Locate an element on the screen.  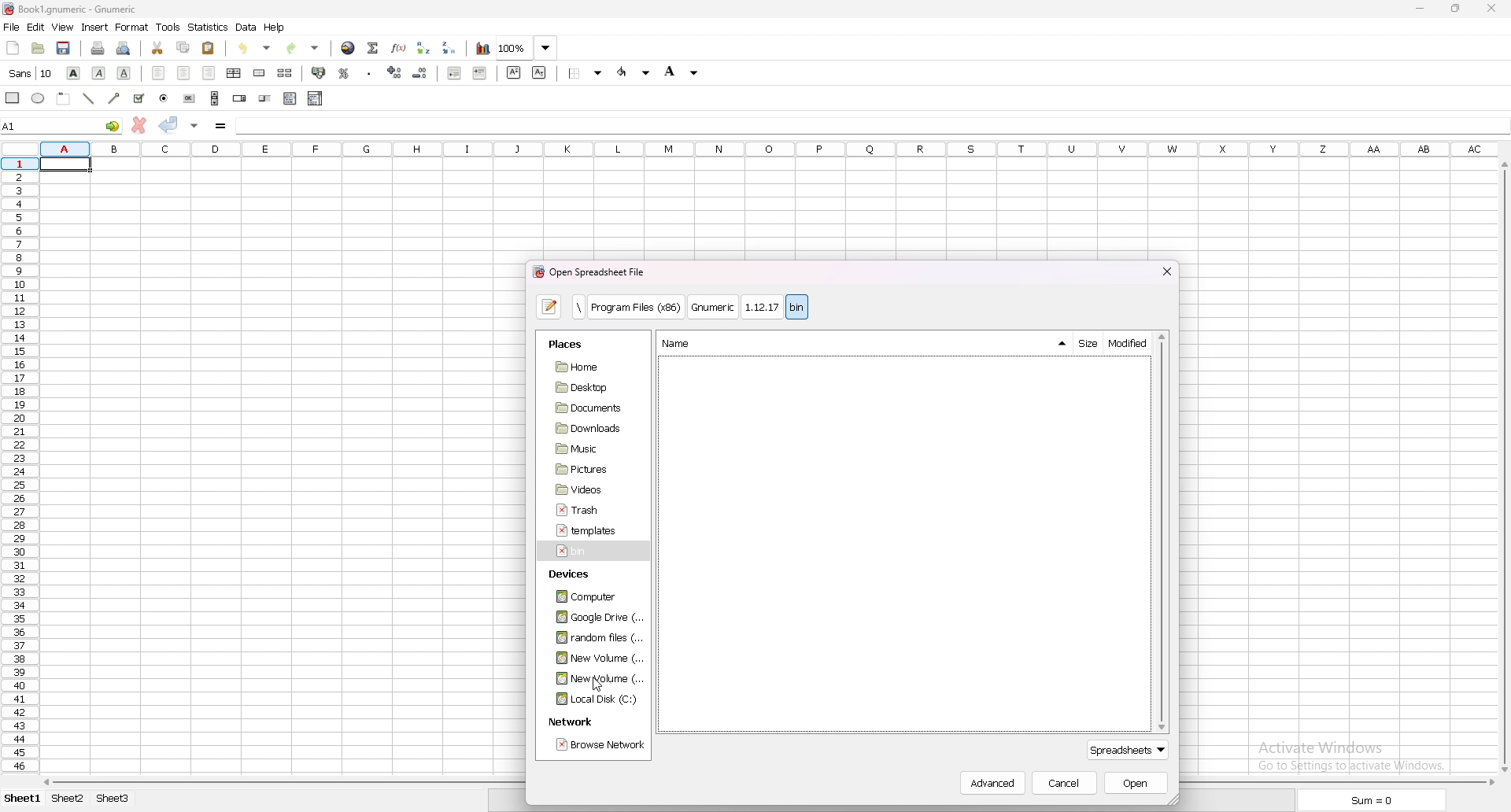
insert is located at coordinates (94, 28).